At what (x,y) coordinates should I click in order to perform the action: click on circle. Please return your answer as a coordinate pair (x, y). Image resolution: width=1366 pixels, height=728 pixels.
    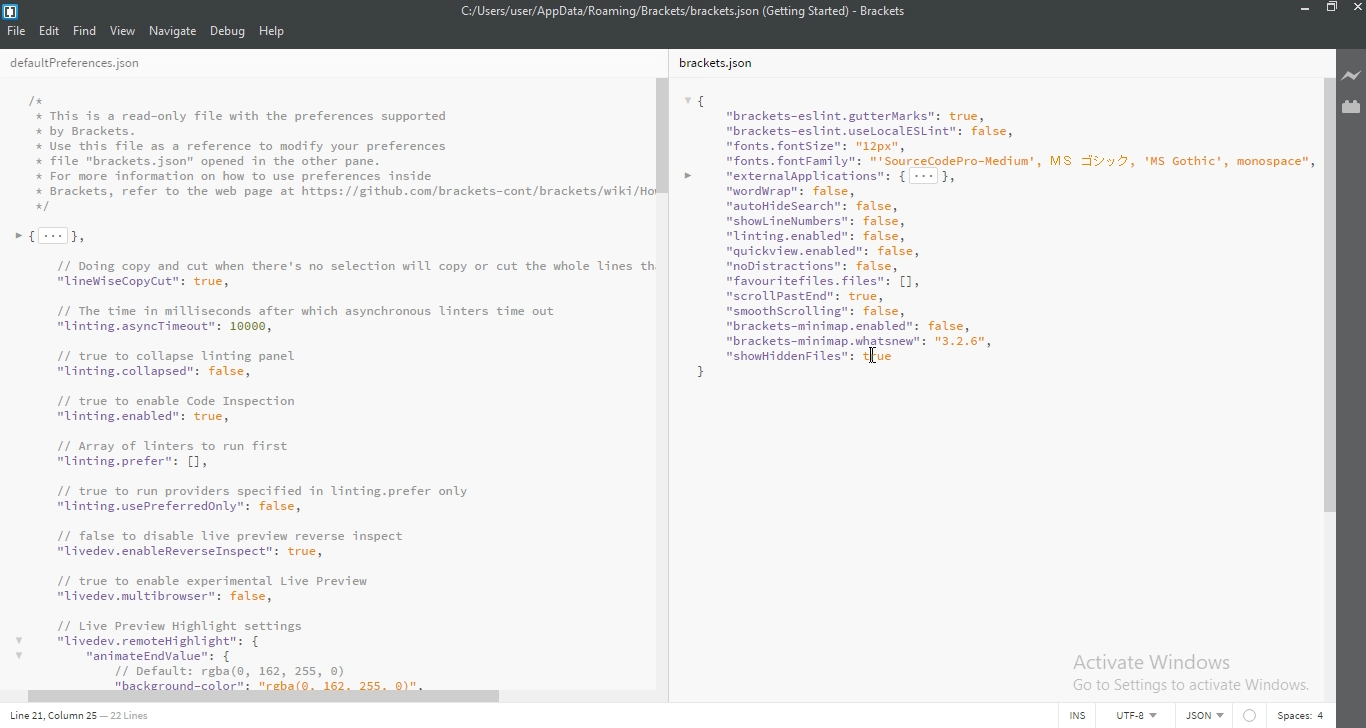
    Looking at the image, I should click on (1253, 714).